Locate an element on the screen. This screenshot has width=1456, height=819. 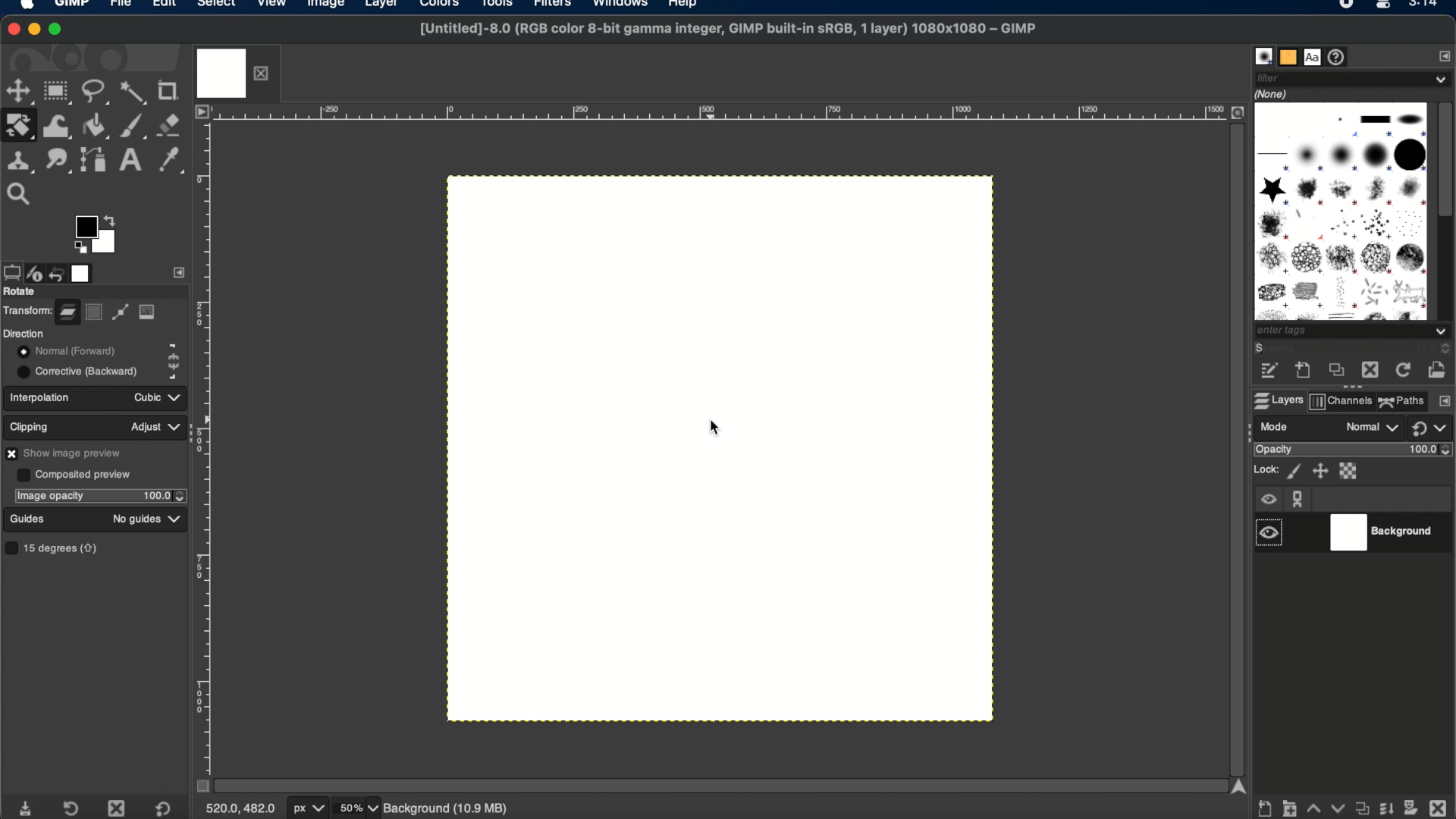
access image menu is located at coordinates (202, 112).